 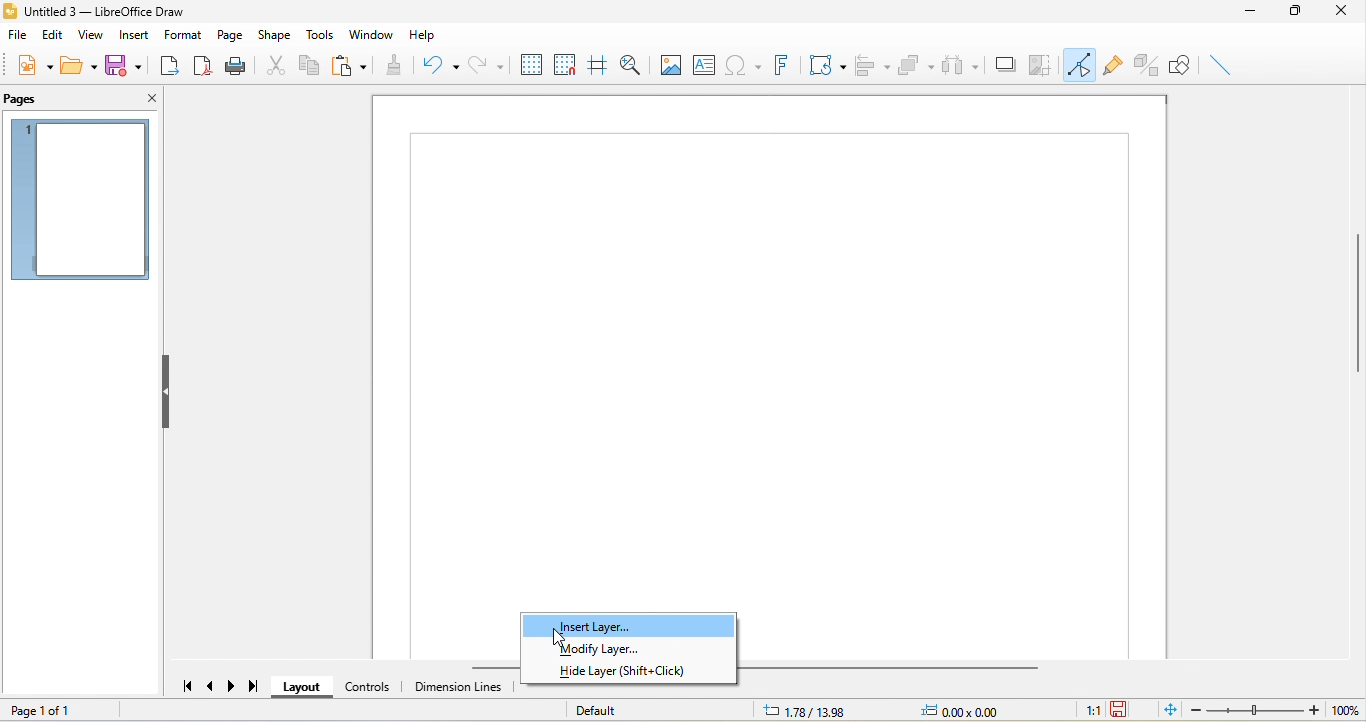 I want to click on close, so click(x=146, y=100).